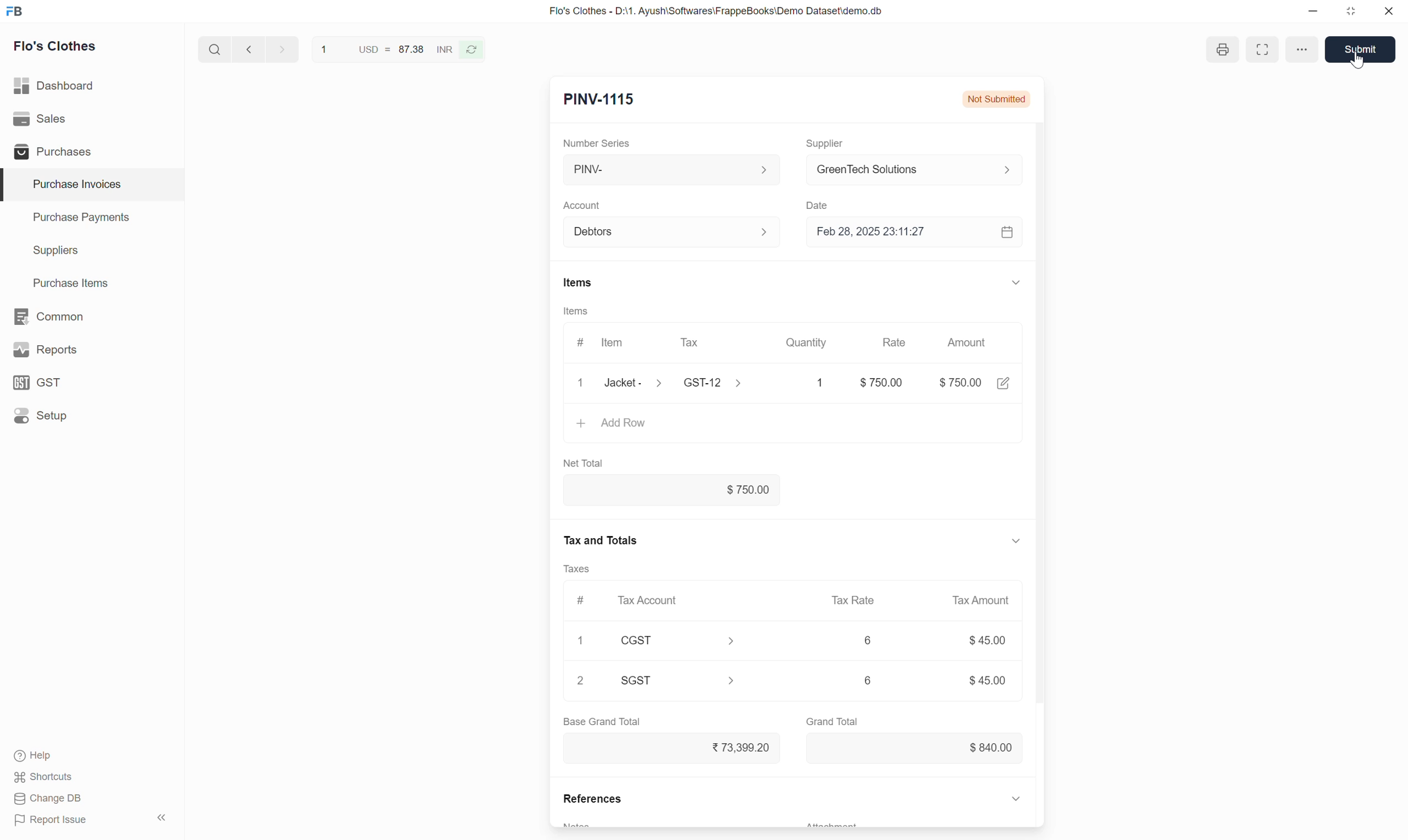 The image size is (1408, 840). I want to click on Quantity, so click(807, 342).